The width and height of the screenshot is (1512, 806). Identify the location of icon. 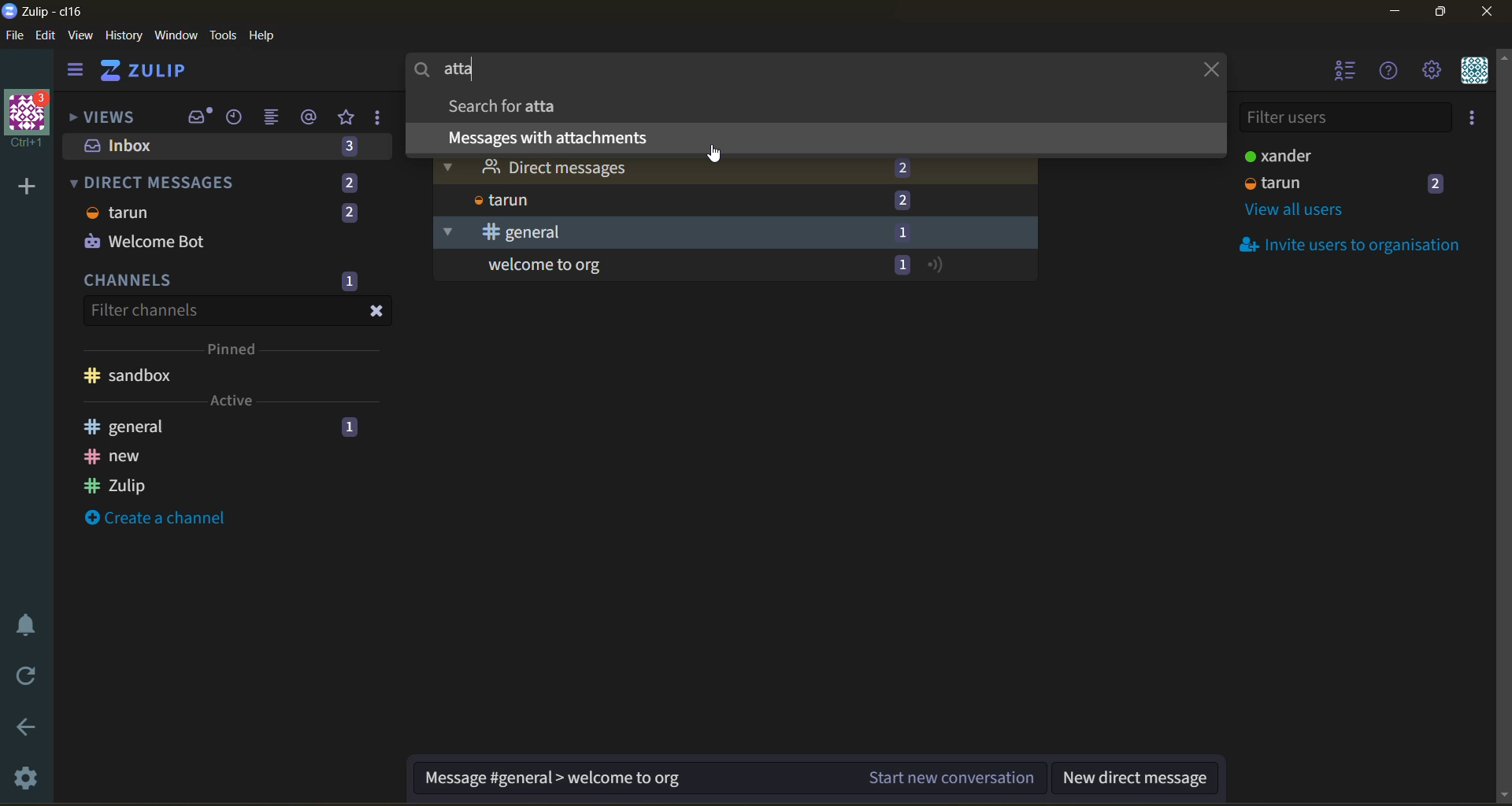
(939, 266).